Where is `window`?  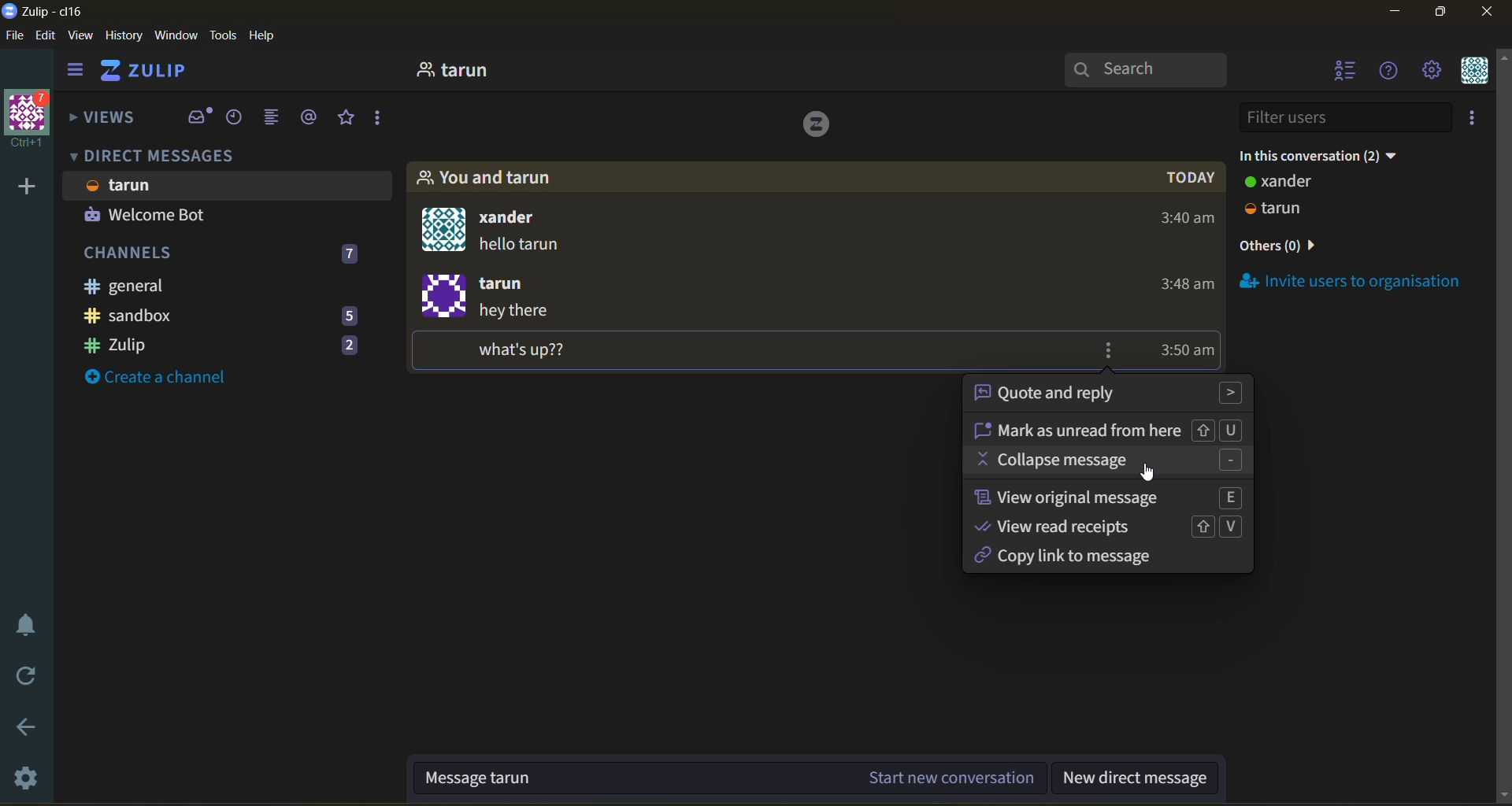 window is located at coordinates (178, 38).